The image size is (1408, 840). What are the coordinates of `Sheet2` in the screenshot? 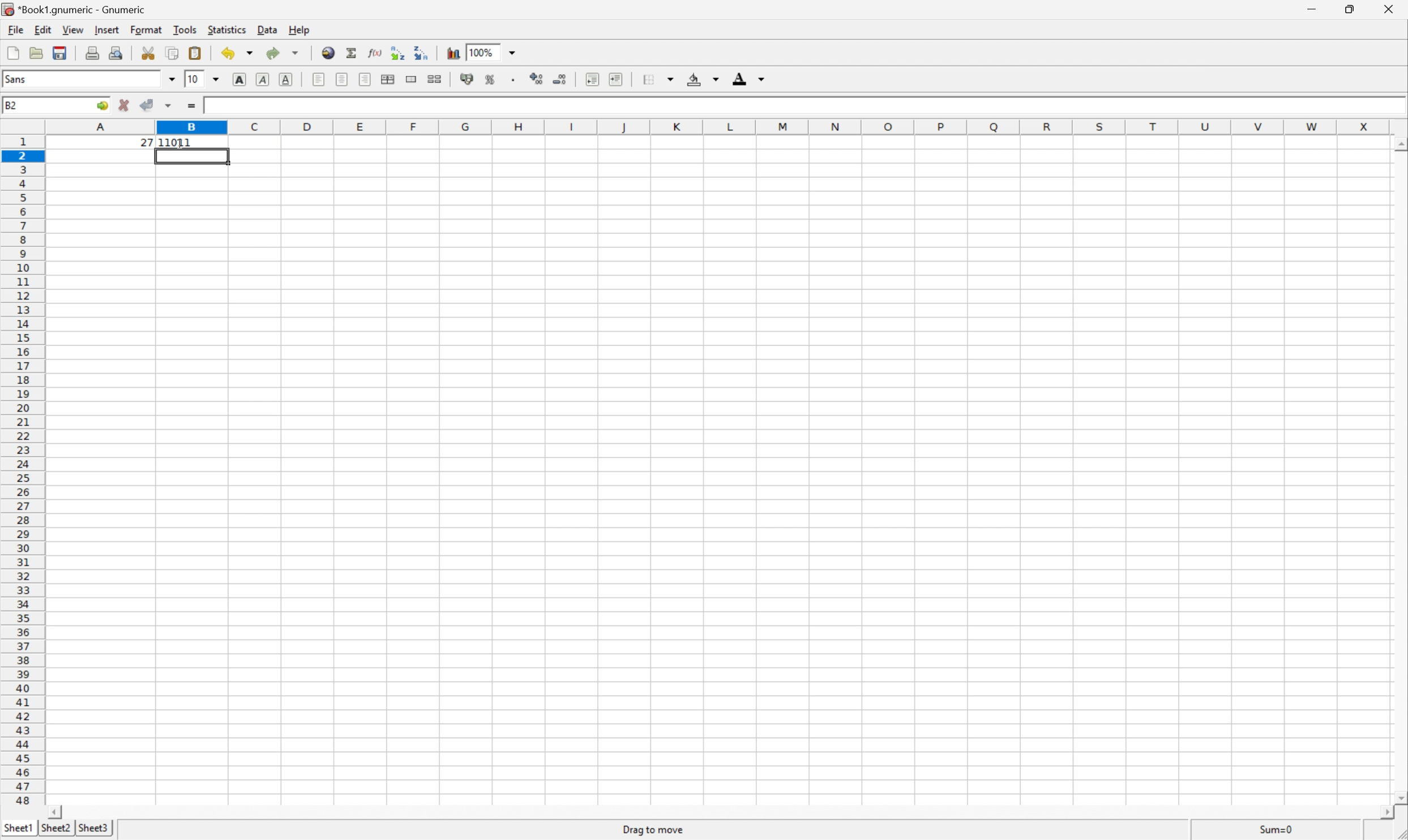 It's located at (57, 832).